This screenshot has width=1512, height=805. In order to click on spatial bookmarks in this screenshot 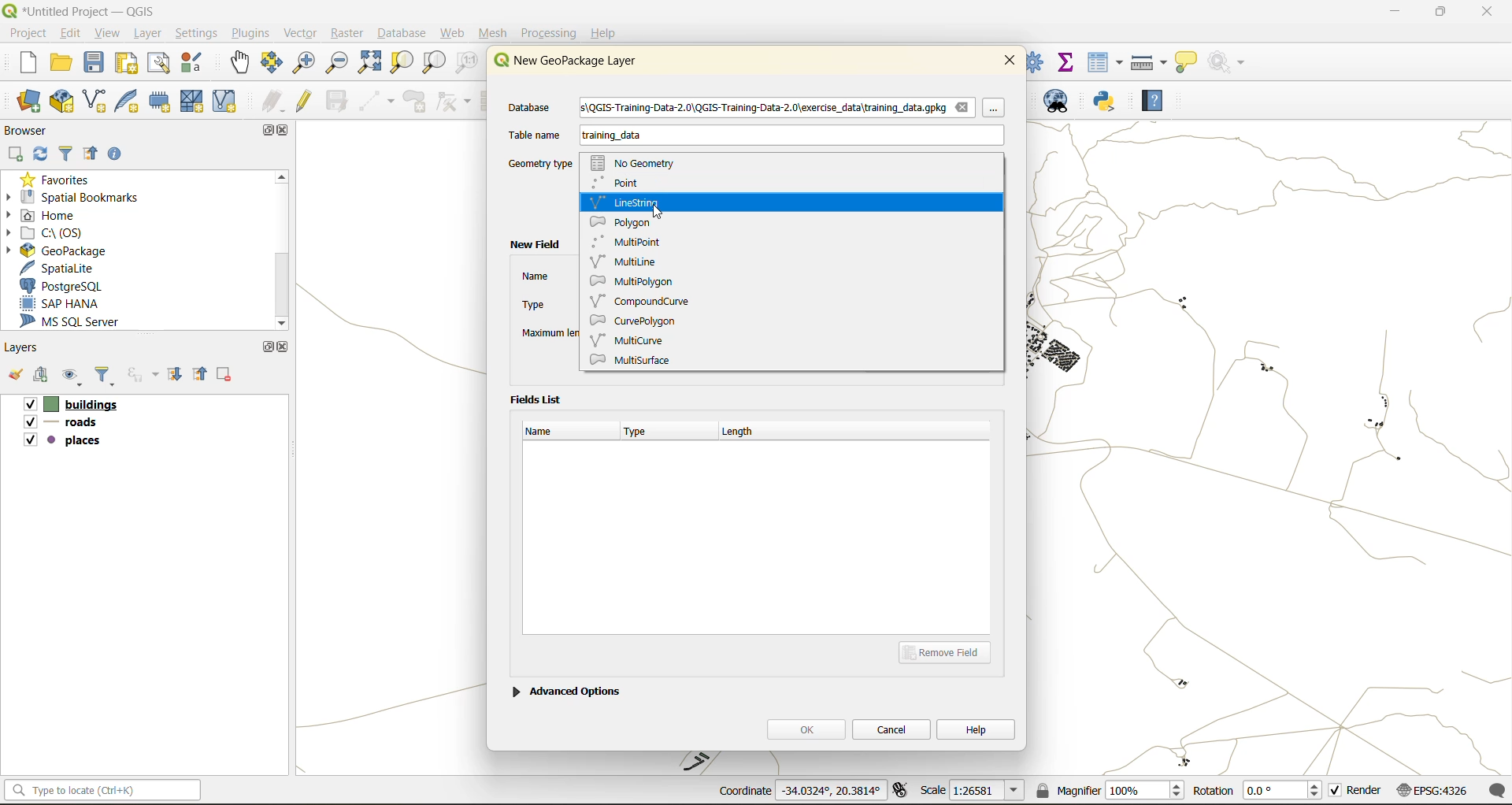, I will do `click(83, 197)`.